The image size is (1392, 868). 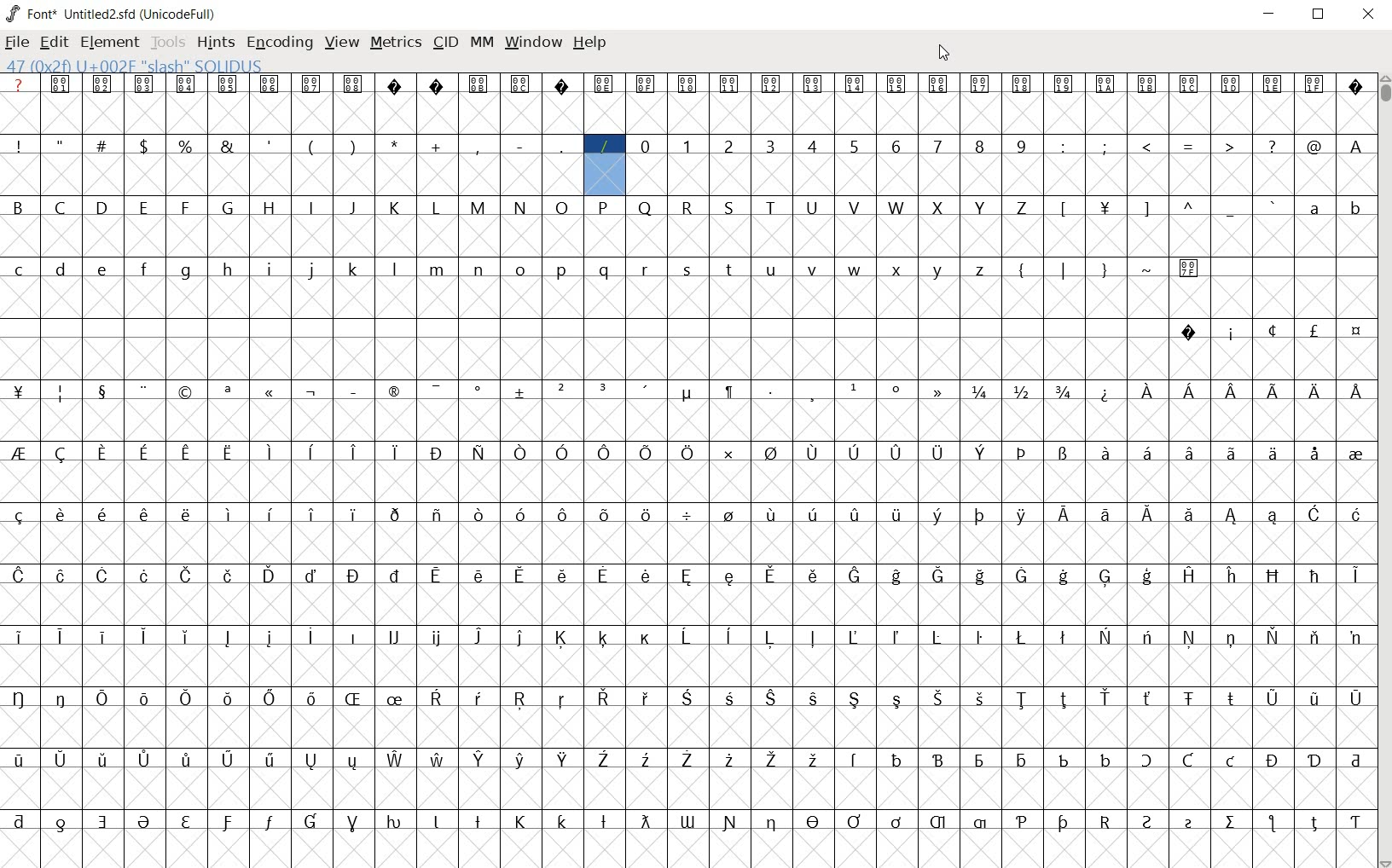 I want to click on glyph, so click(x=1105, y=146).